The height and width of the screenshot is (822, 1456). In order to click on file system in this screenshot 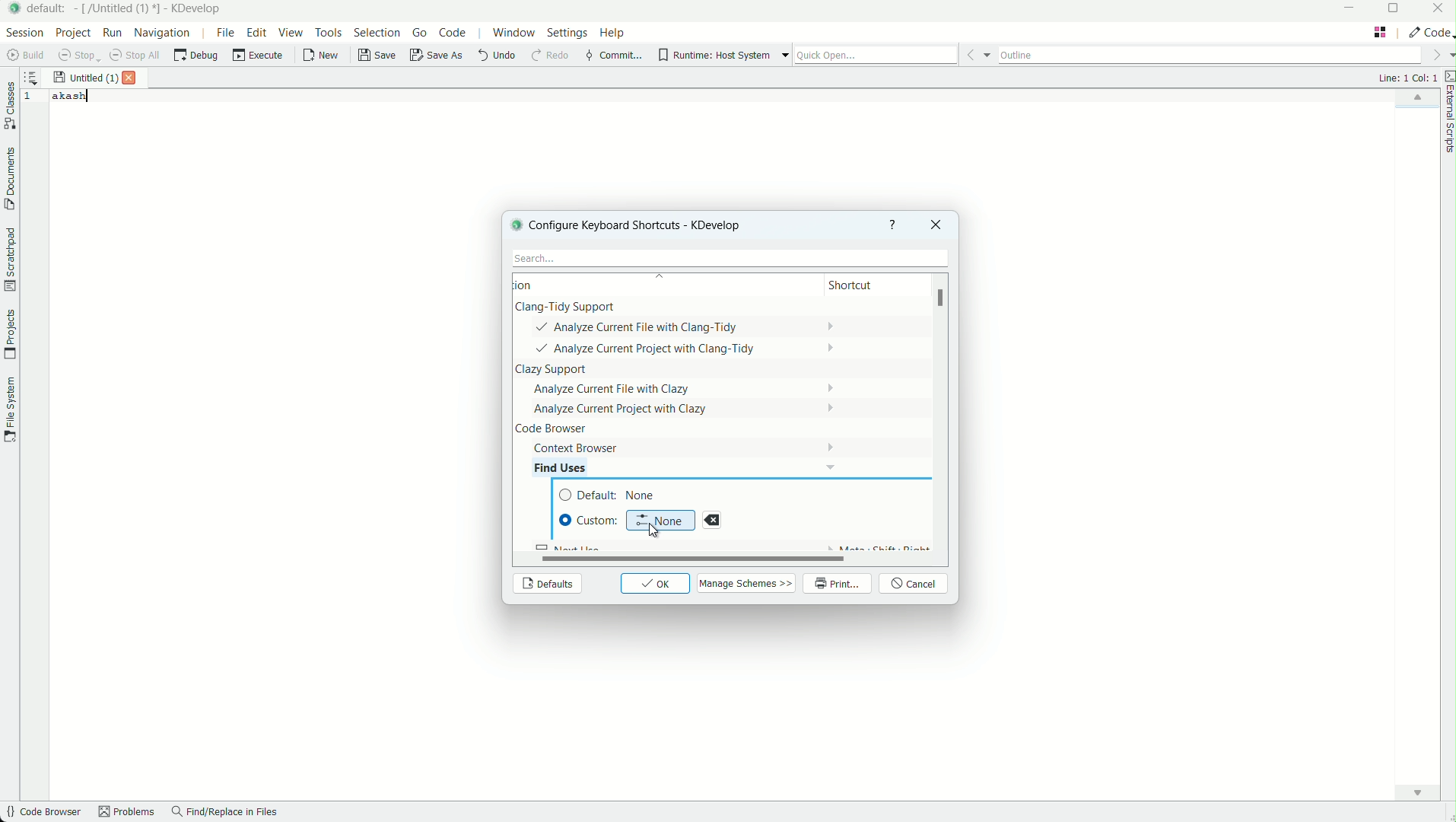, I will do `click(9, 407)`.